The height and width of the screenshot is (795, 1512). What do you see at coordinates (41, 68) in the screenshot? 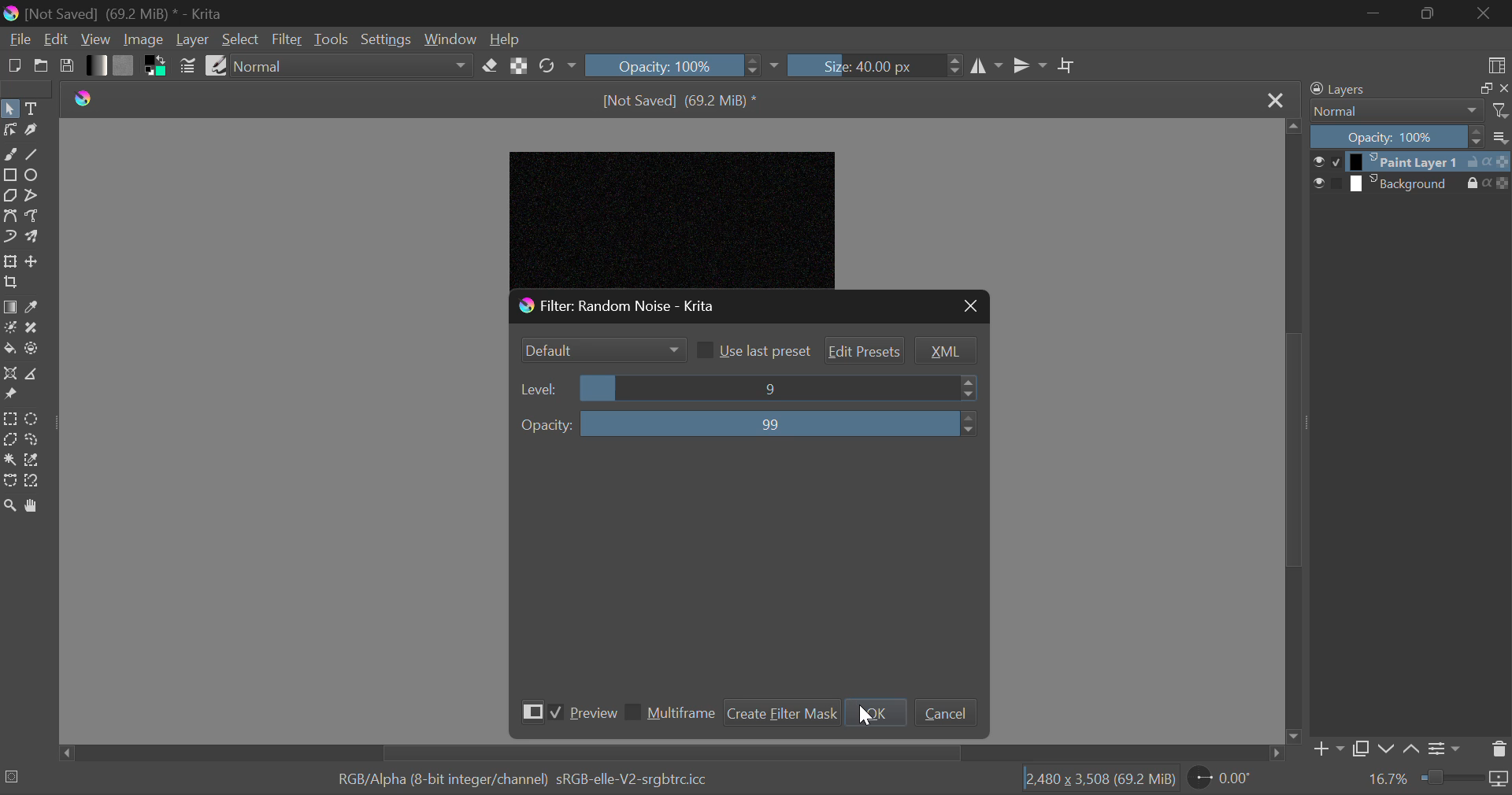
I see `Open` at bounding box center [41, 68].